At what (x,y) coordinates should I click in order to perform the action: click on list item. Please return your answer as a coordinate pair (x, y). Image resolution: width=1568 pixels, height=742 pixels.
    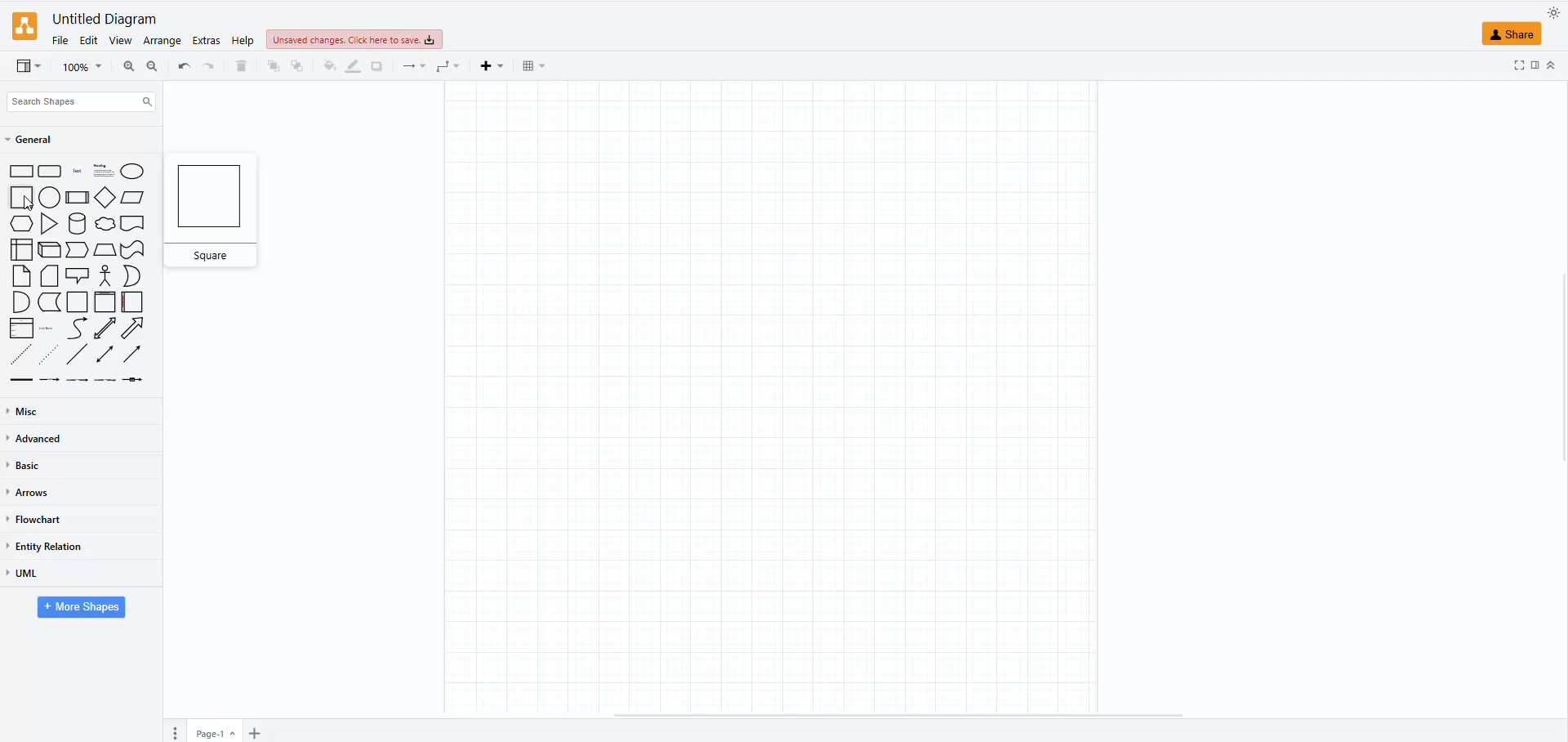
    Looking at the image, I should click on (49, 328).